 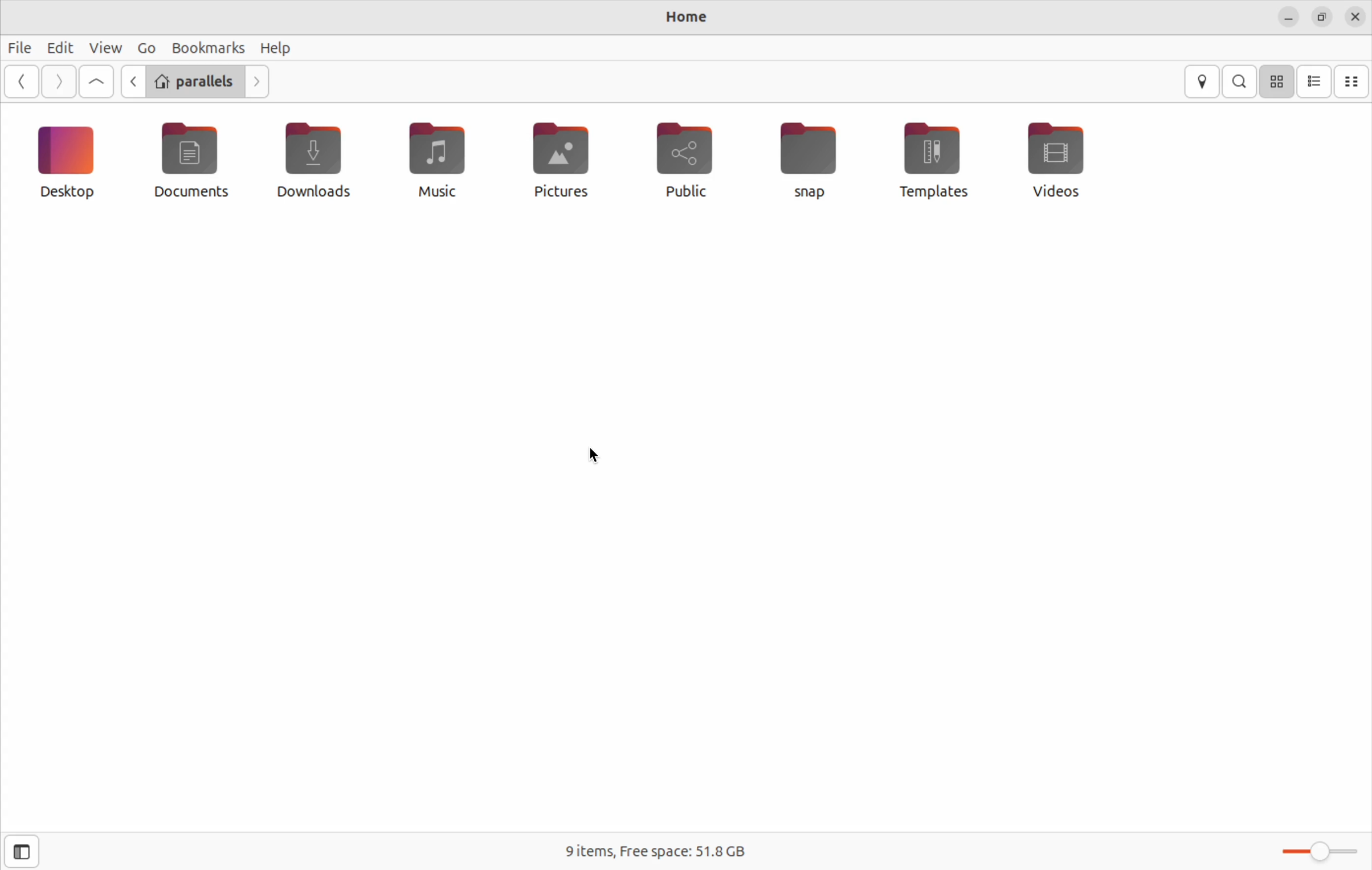 I want to click on parallels, so click(x=197, y=82).